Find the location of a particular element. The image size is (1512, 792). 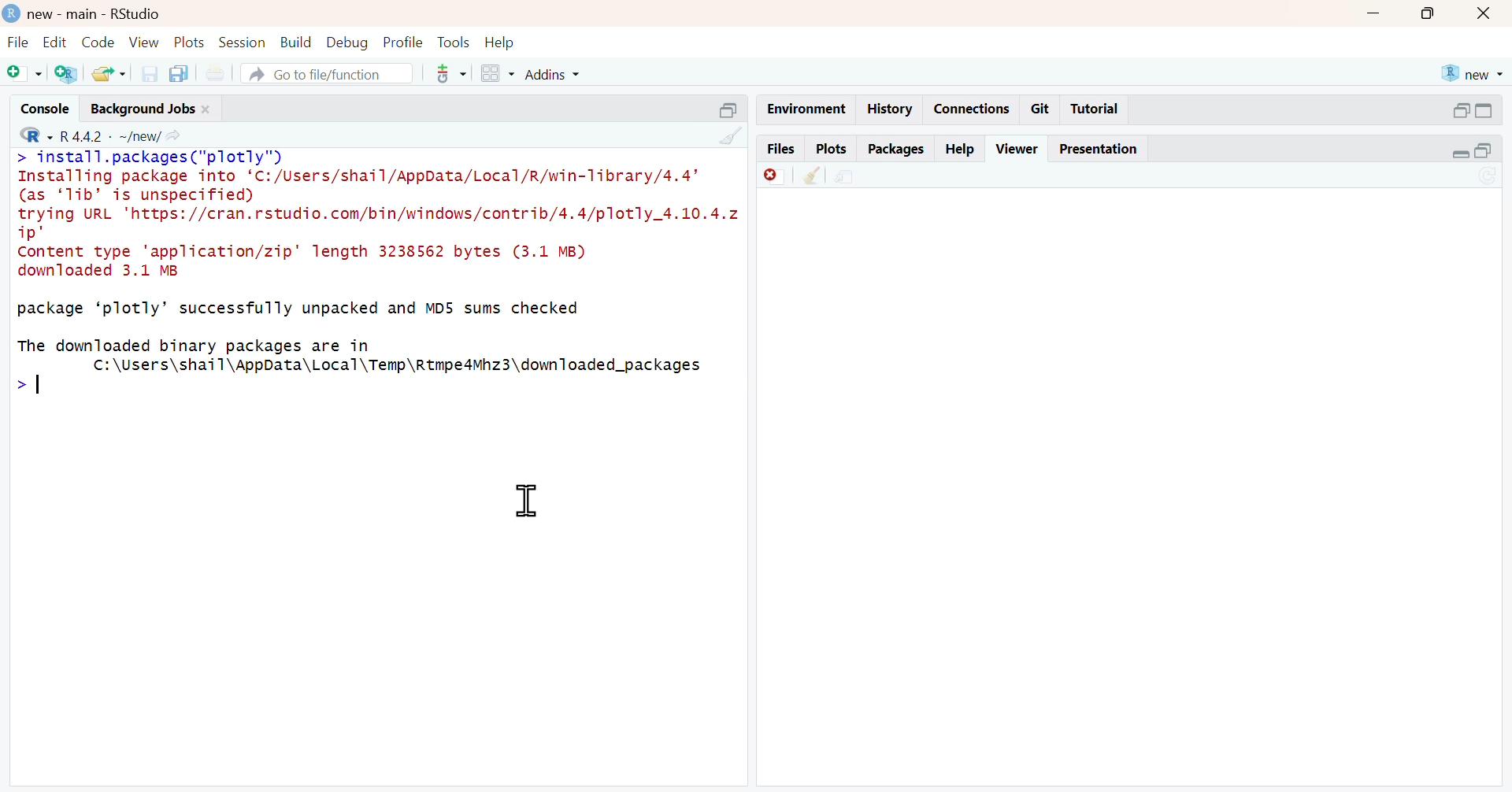

console is located at coordinates (37, 105).